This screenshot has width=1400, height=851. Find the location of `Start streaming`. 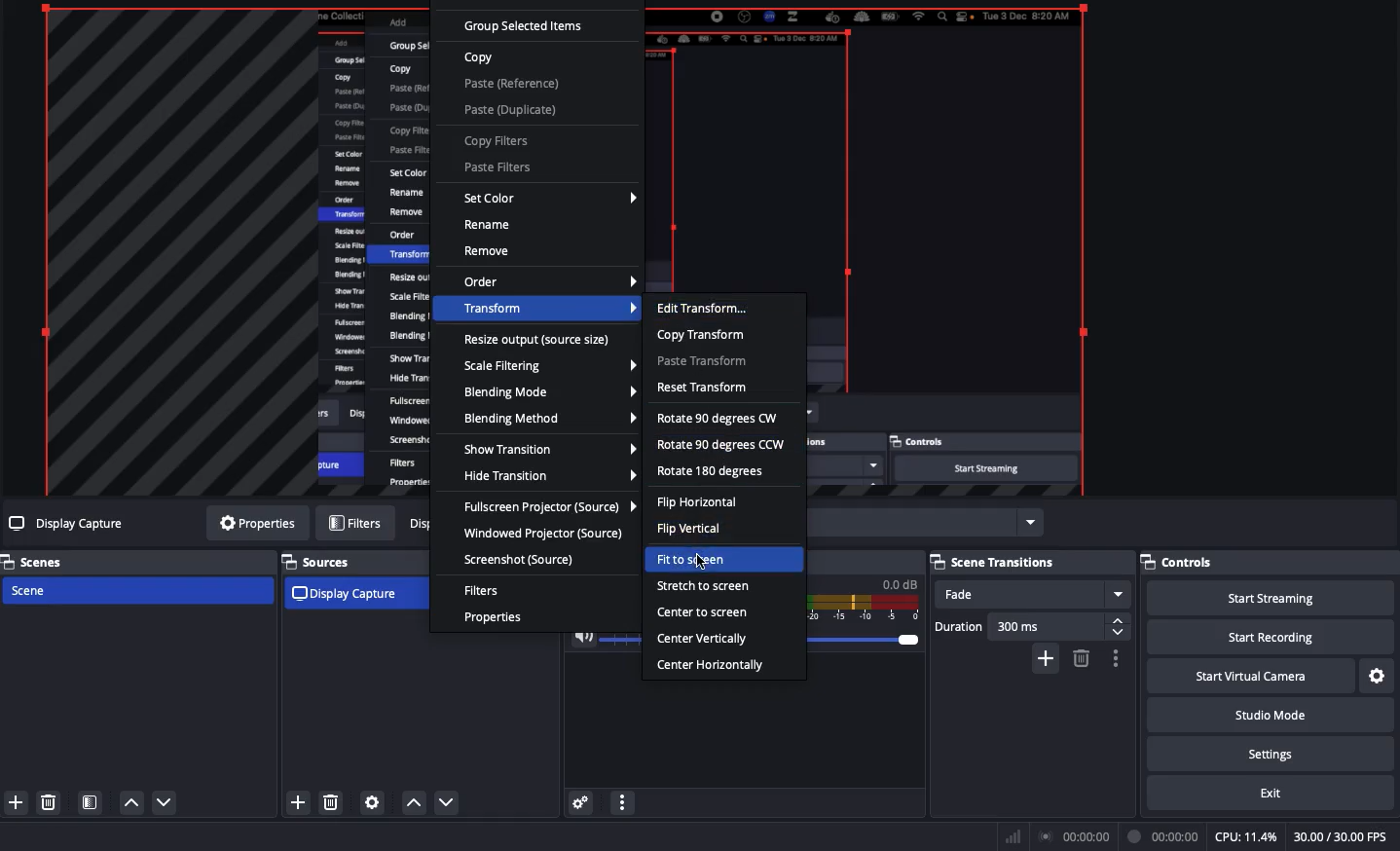

Start streaming is located at coordinates (1269, 599).